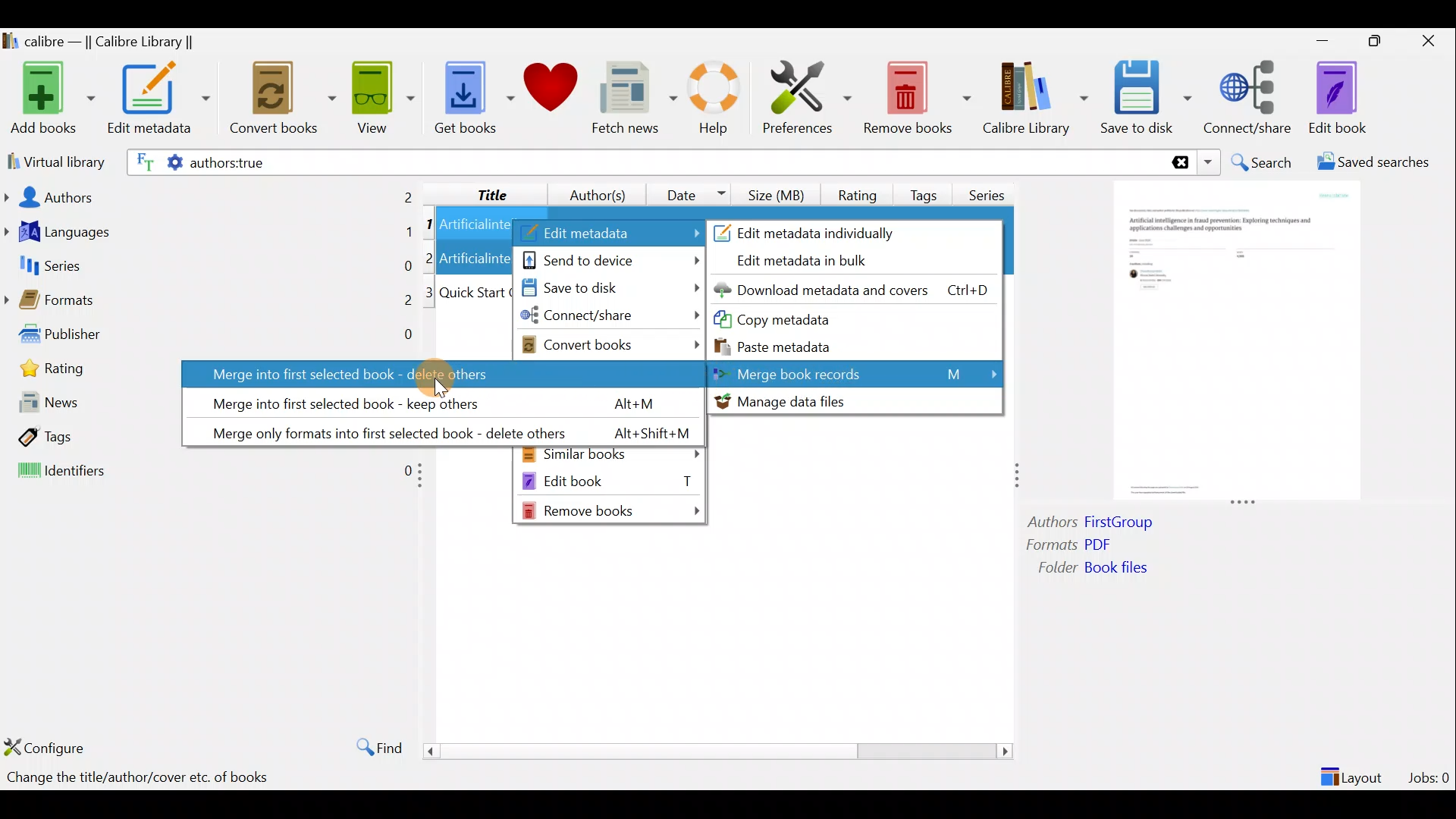 The image size is (1456, 819). Describe the element at coordinates (853, 401) in the screenshot. I see `Manage data files` at that location.